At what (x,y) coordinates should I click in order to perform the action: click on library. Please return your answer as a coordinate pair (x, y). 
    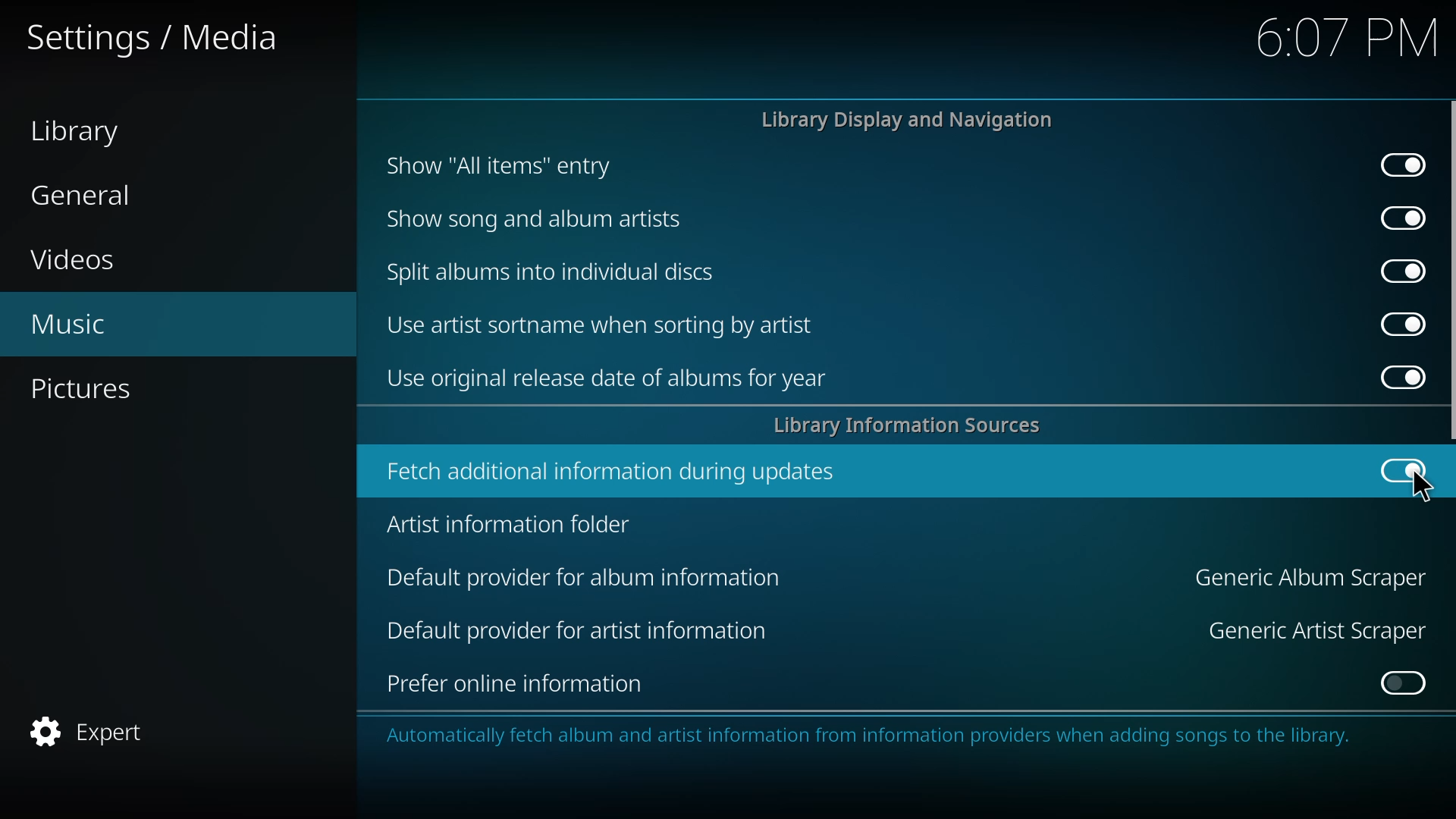
    Looking at the image, I should click on (83, 129).